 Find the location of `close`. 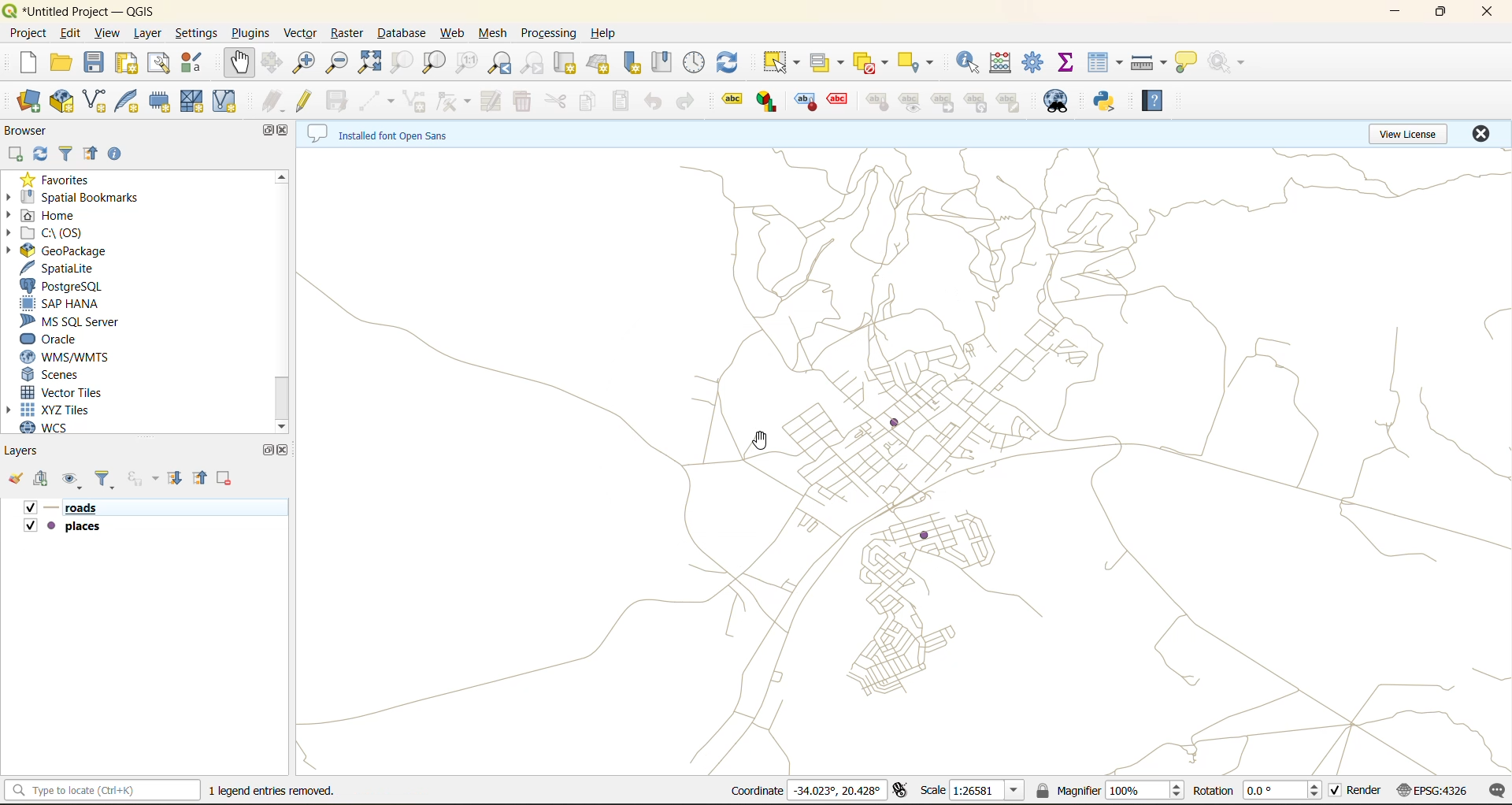

close is located at coordinates (1479, 135).